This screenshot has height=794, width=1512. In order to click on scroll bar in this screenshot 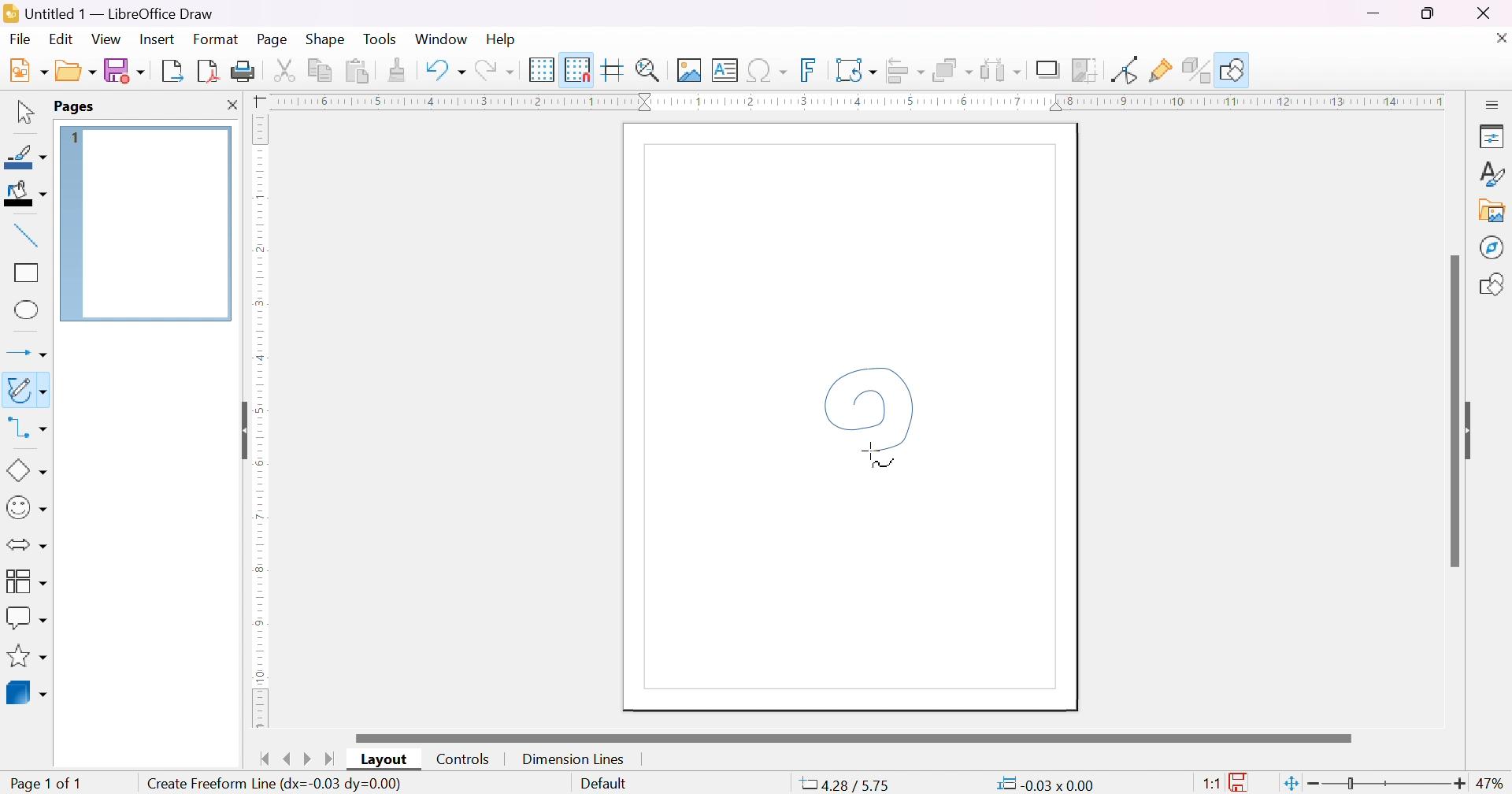, I will do `click(854, 737)`.